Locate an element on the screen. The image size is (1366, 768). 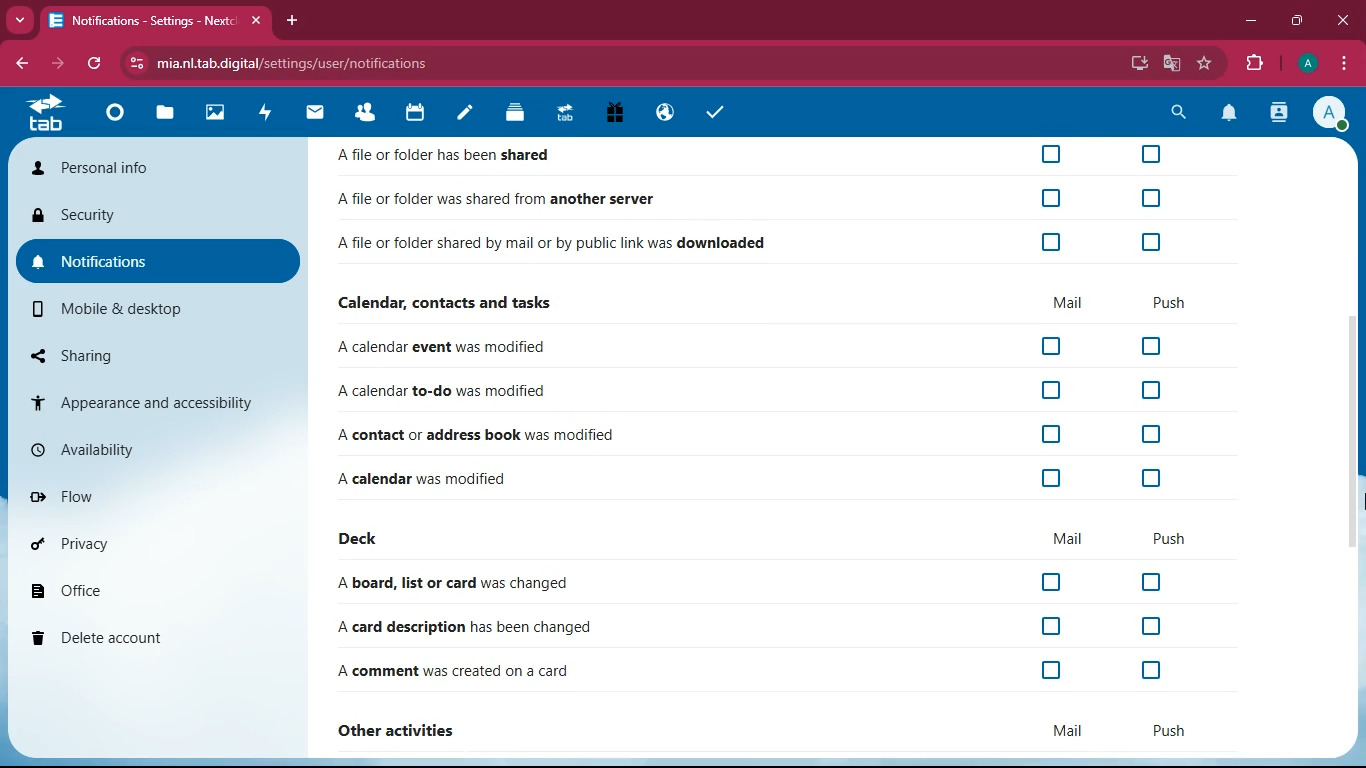
off is located at coordinates (1151, 154).